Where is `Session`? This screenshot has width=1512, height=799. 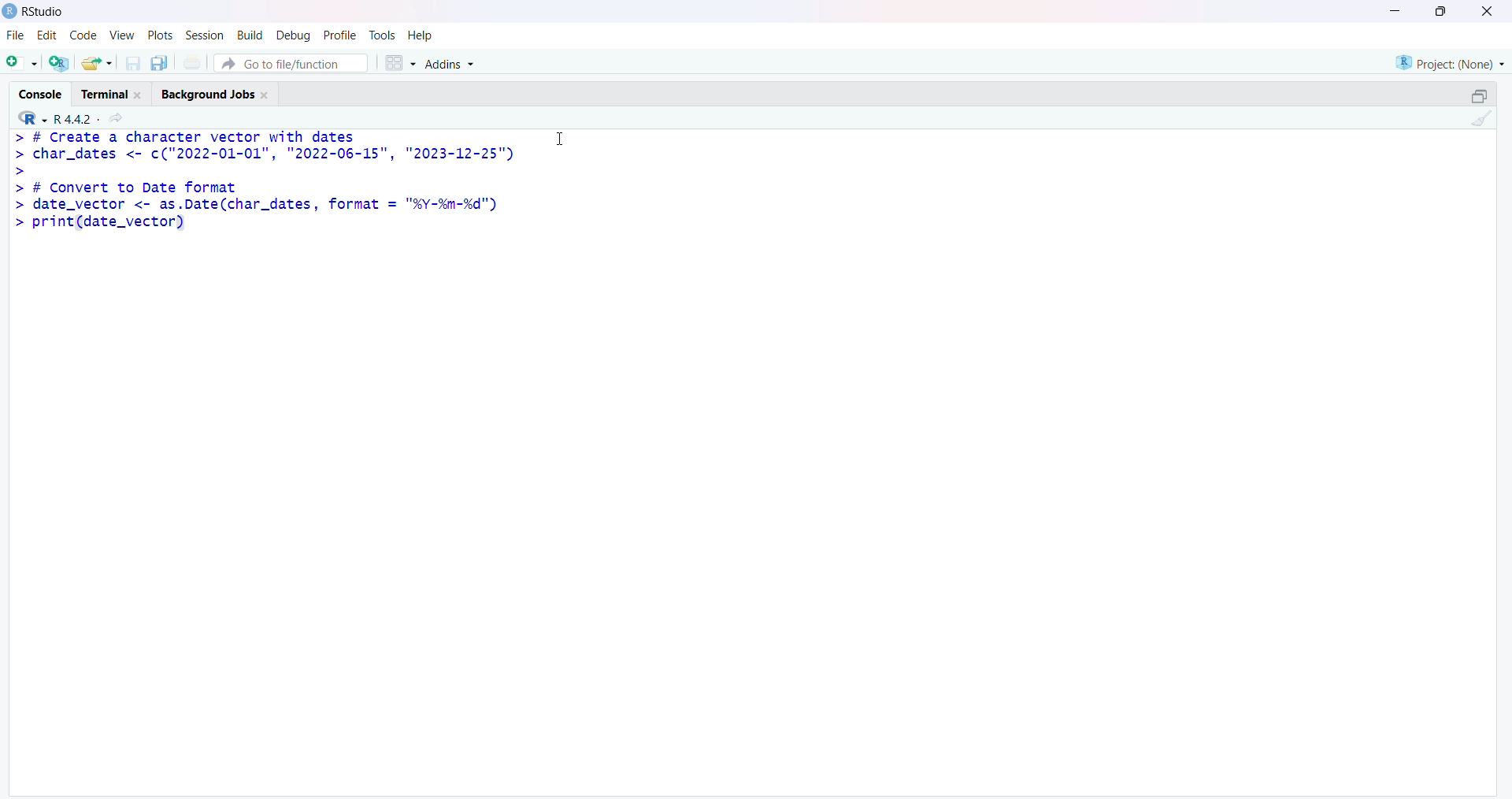
Session is located at coordinates (202, 36).